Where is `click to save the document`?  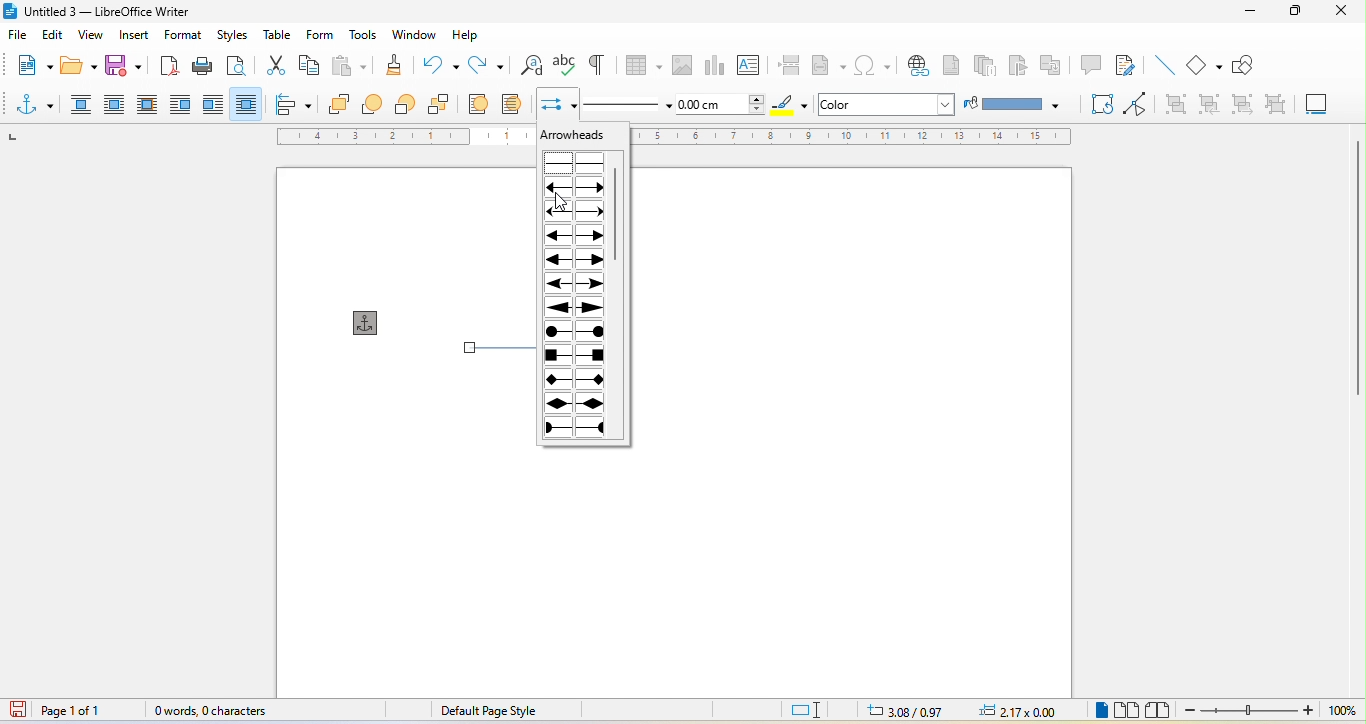 click to save the document is located at coordinates (19, 712).